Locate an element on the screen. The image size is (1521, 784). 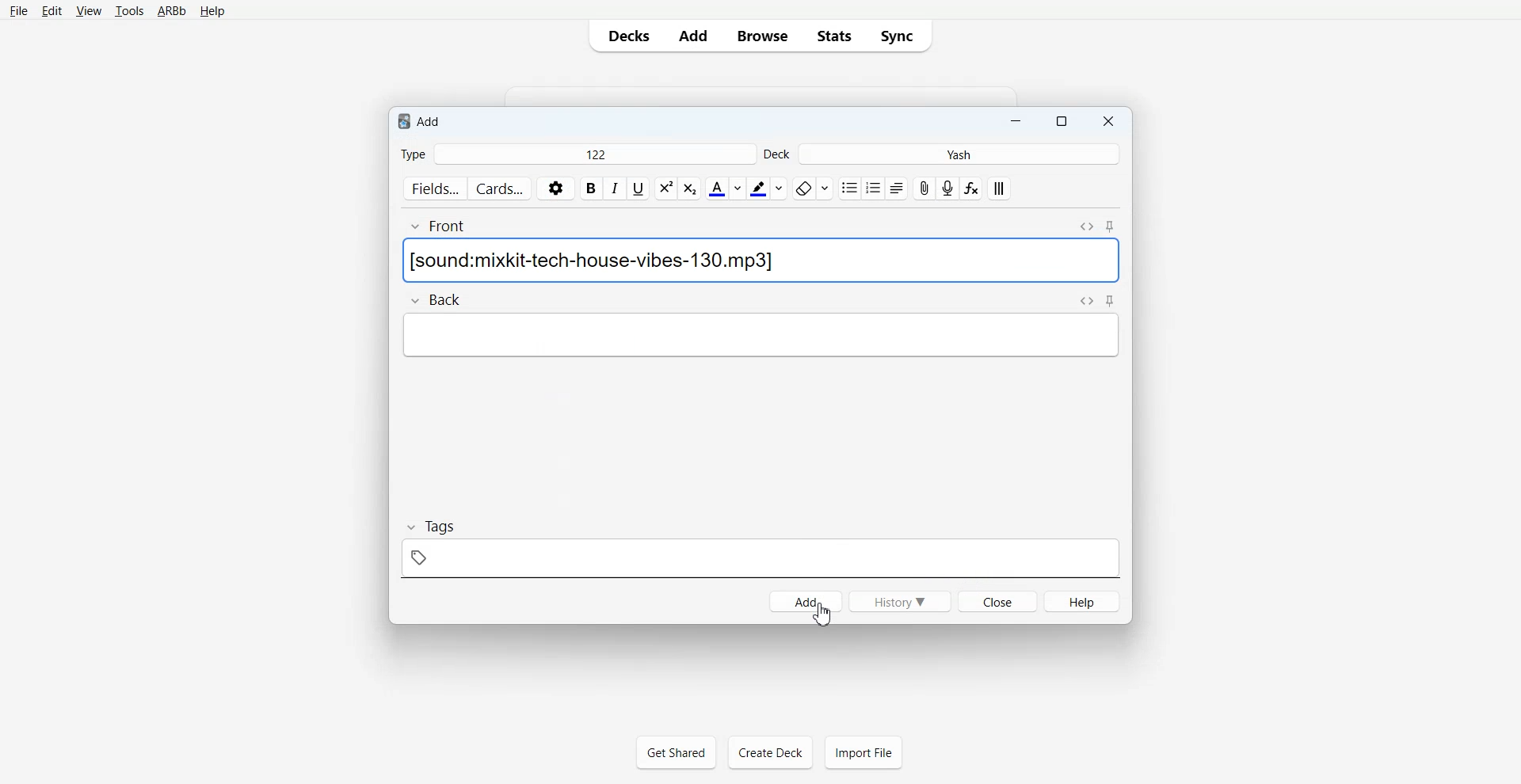
Close is located at coordinates (1107, 121).